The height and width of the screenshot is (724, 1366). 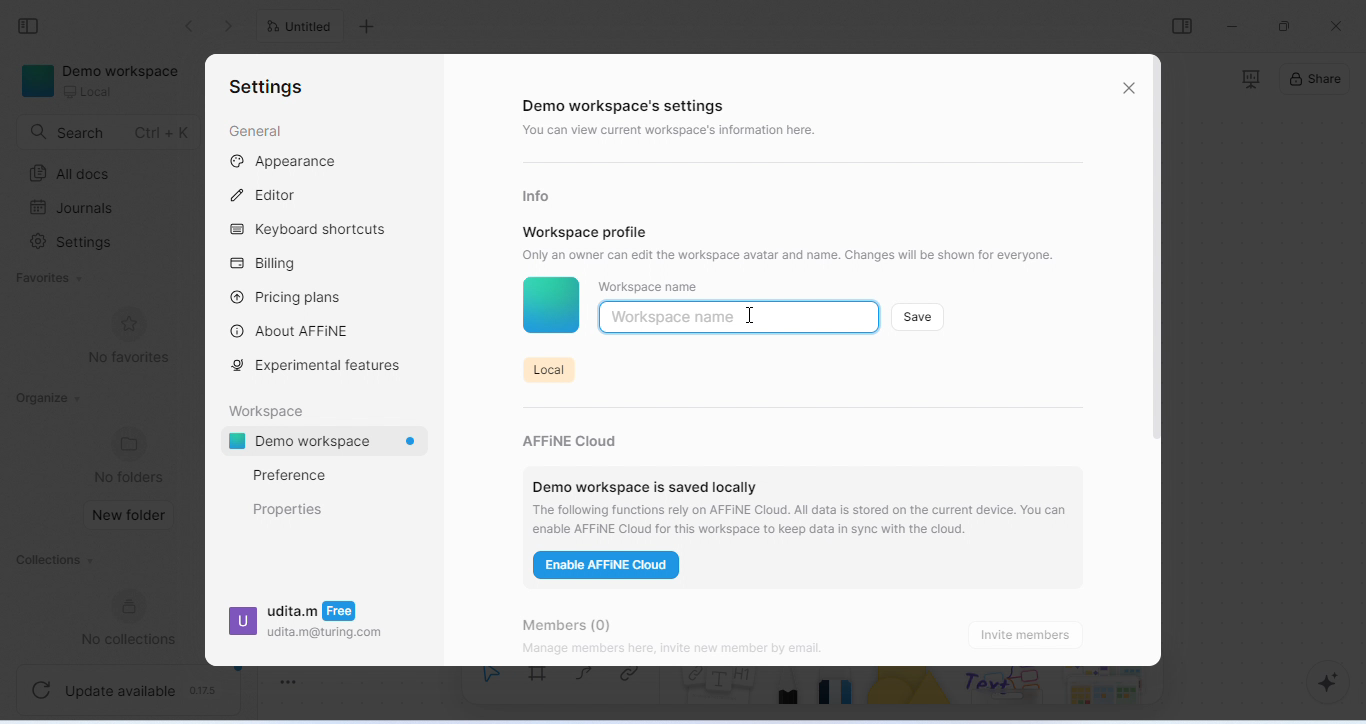 What do you see at coordinates (1316, 81) in the screenshot?
I see `share` at bounding box center [1316, 81].